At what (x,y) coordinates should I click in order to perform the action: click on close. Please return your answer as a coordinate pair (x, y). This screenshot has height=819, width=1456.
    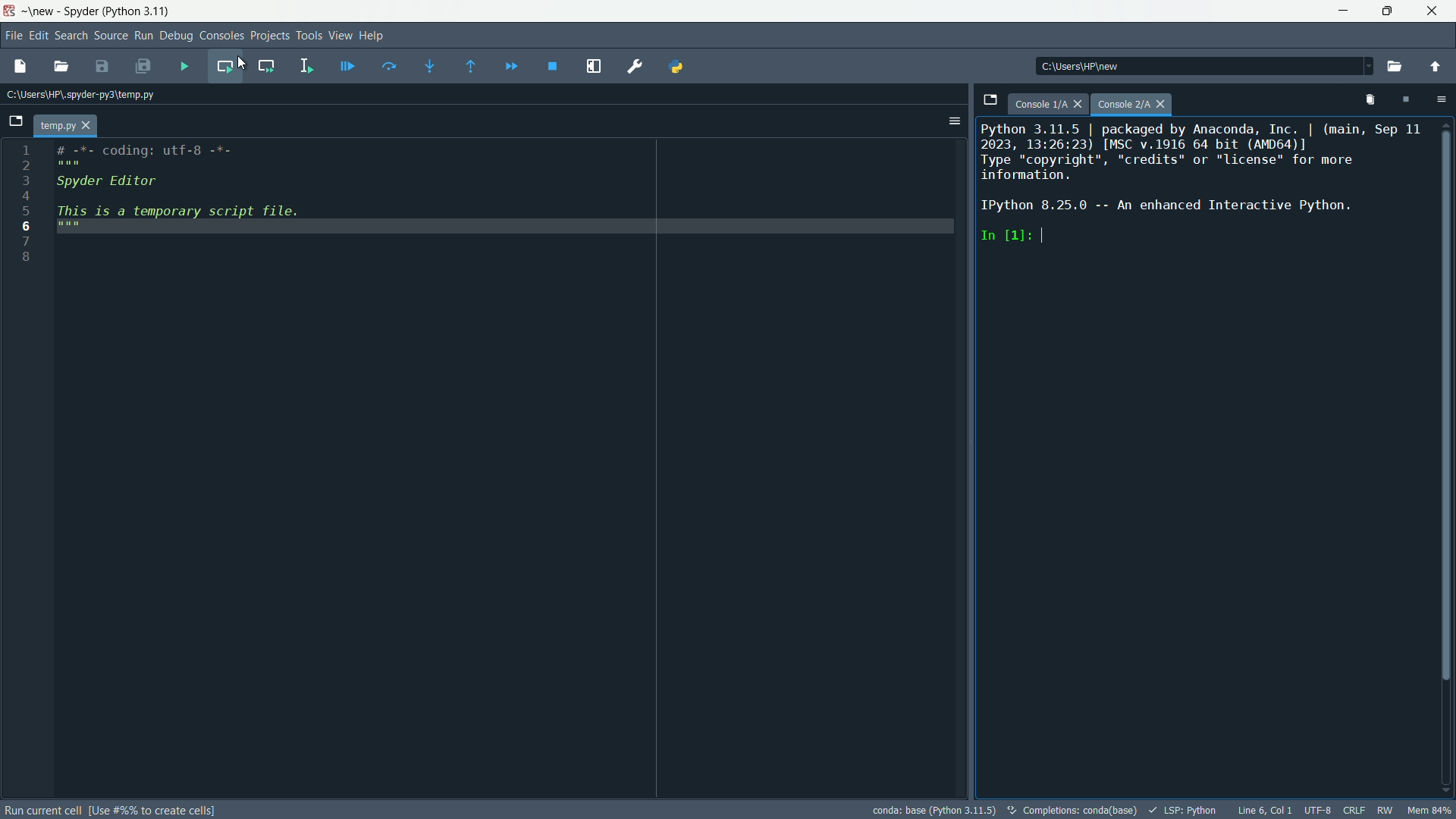
    Looking at the image, I should click on (89, 127).